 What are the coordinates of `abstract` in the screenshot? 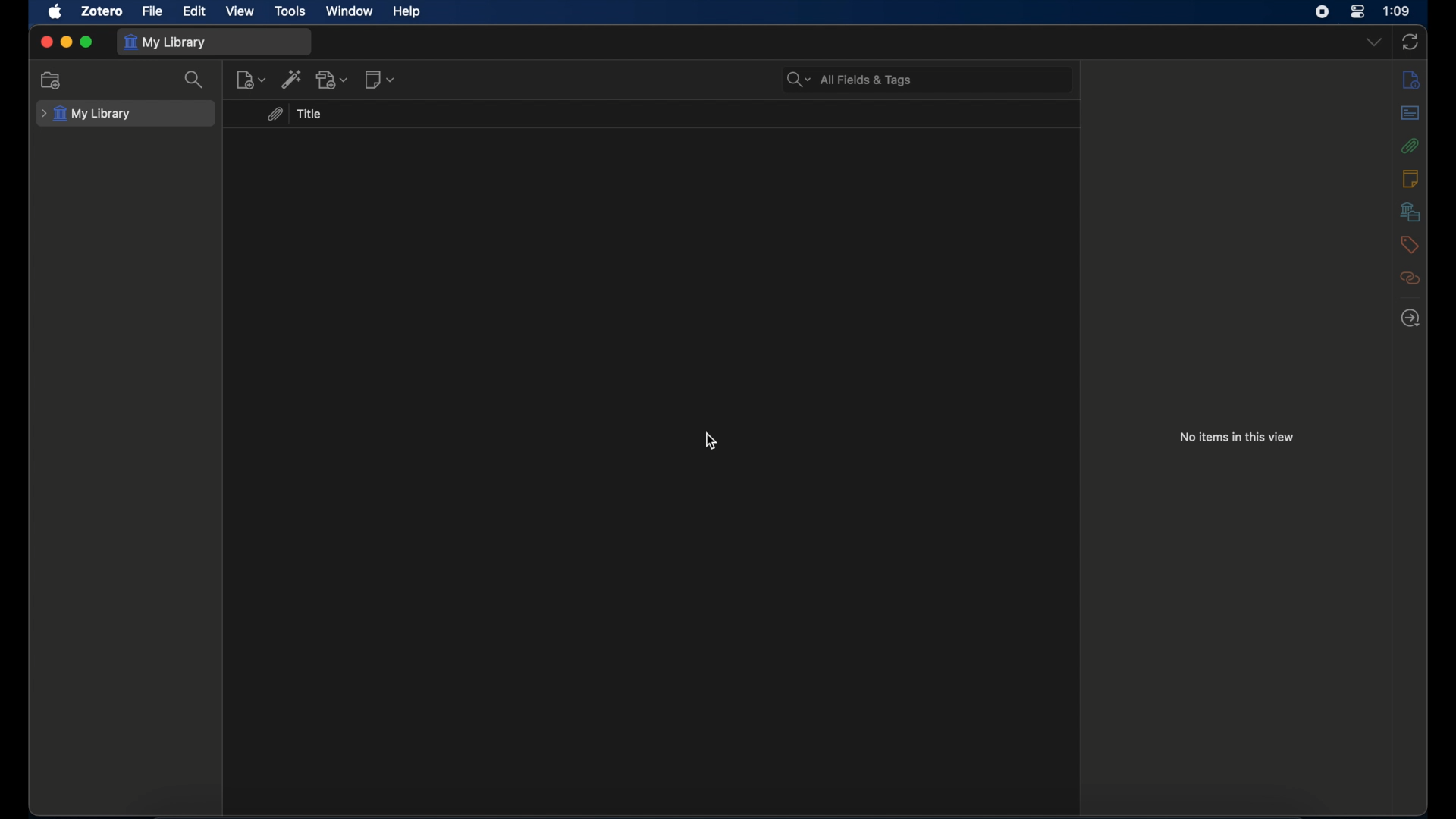 It's located at (1411, 113).